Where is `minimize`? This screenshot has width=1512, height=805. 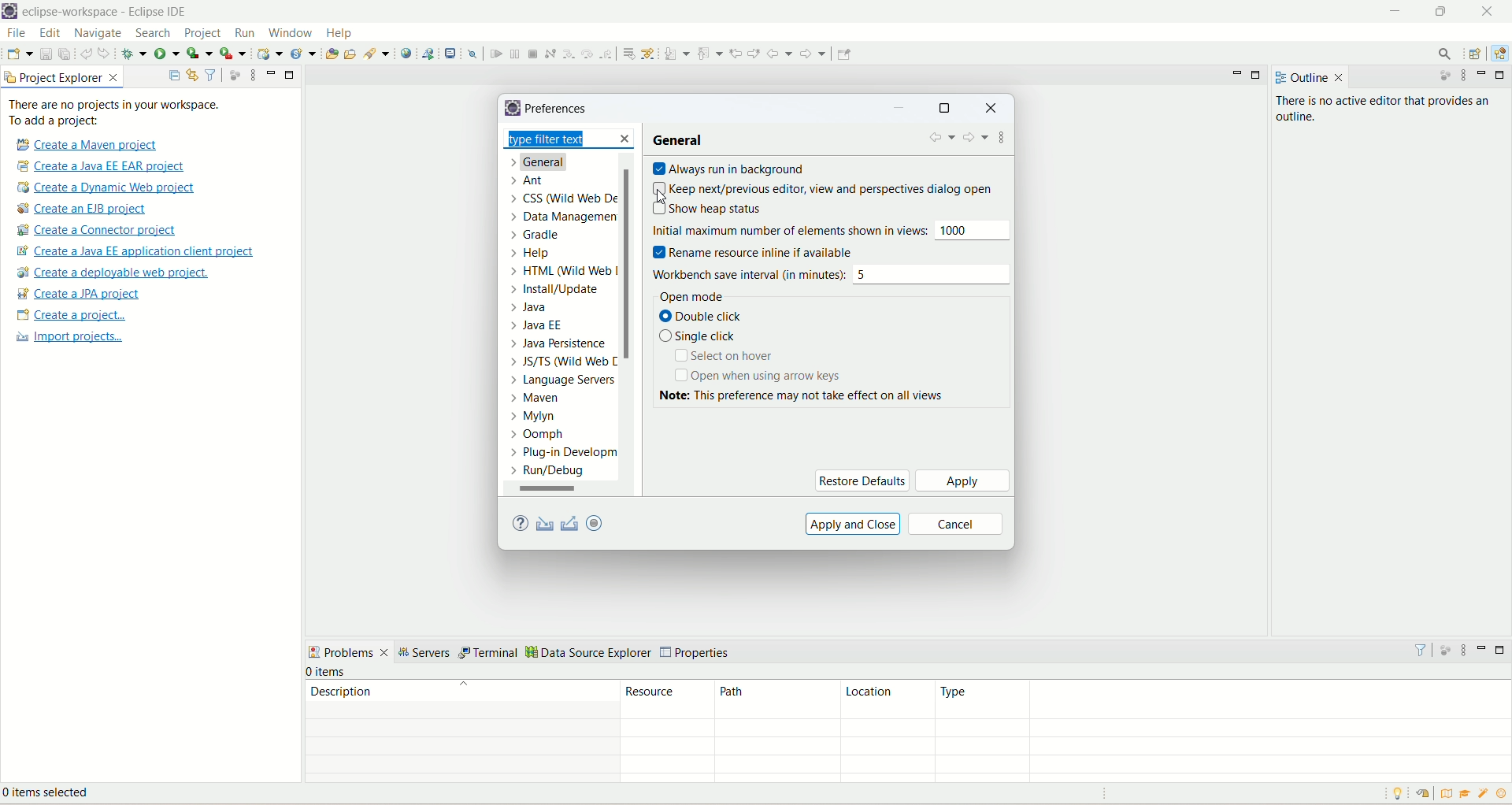 minimize is located at coordinates (902, 109).